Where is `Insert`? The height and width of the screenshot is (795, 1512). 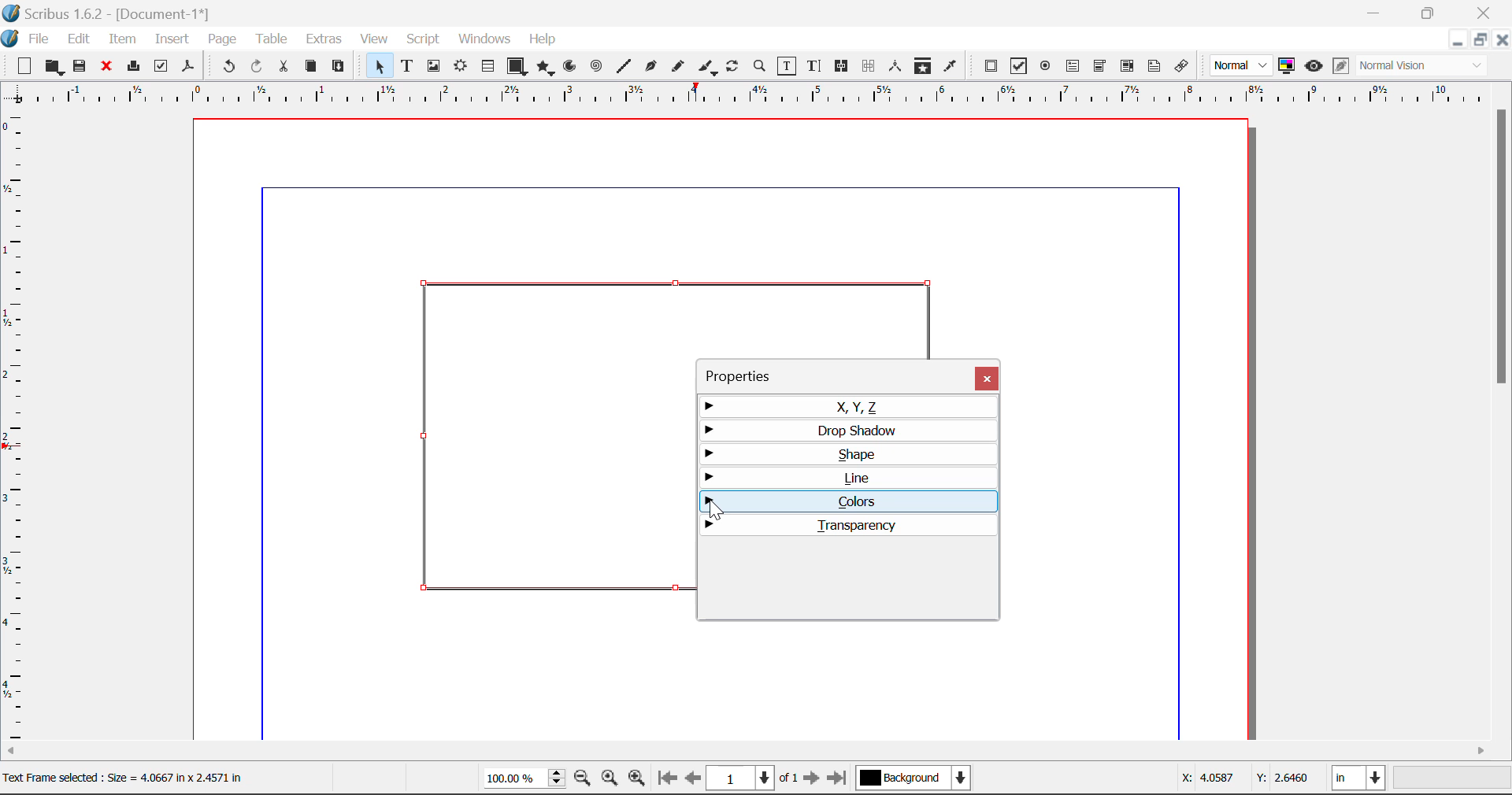
Insert is located at coordinates (171, 39).